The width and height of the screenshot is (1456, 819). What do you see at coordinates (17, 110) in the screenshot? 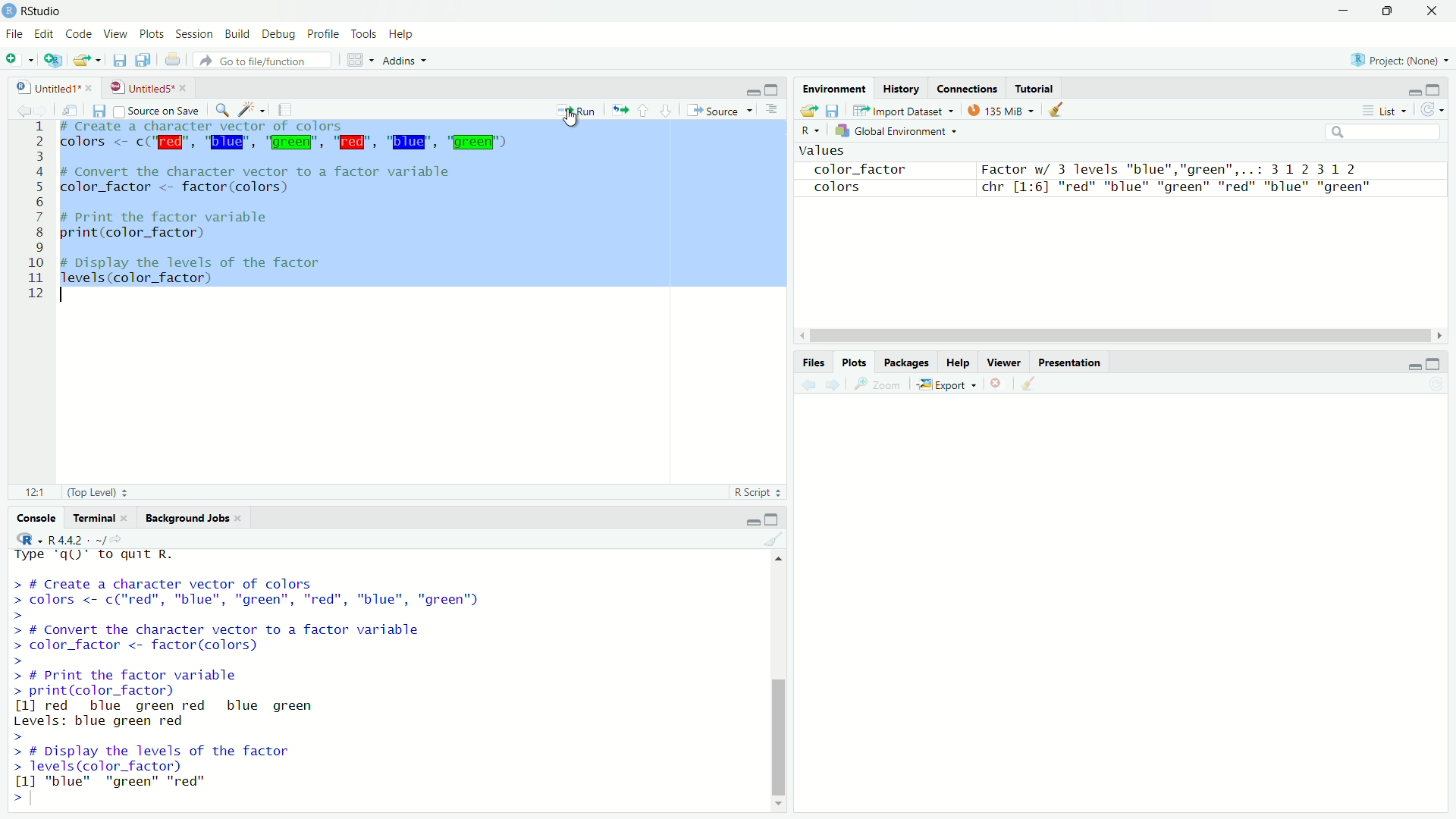
I see `go back to the previous source location` at bounding box center [17, 110].